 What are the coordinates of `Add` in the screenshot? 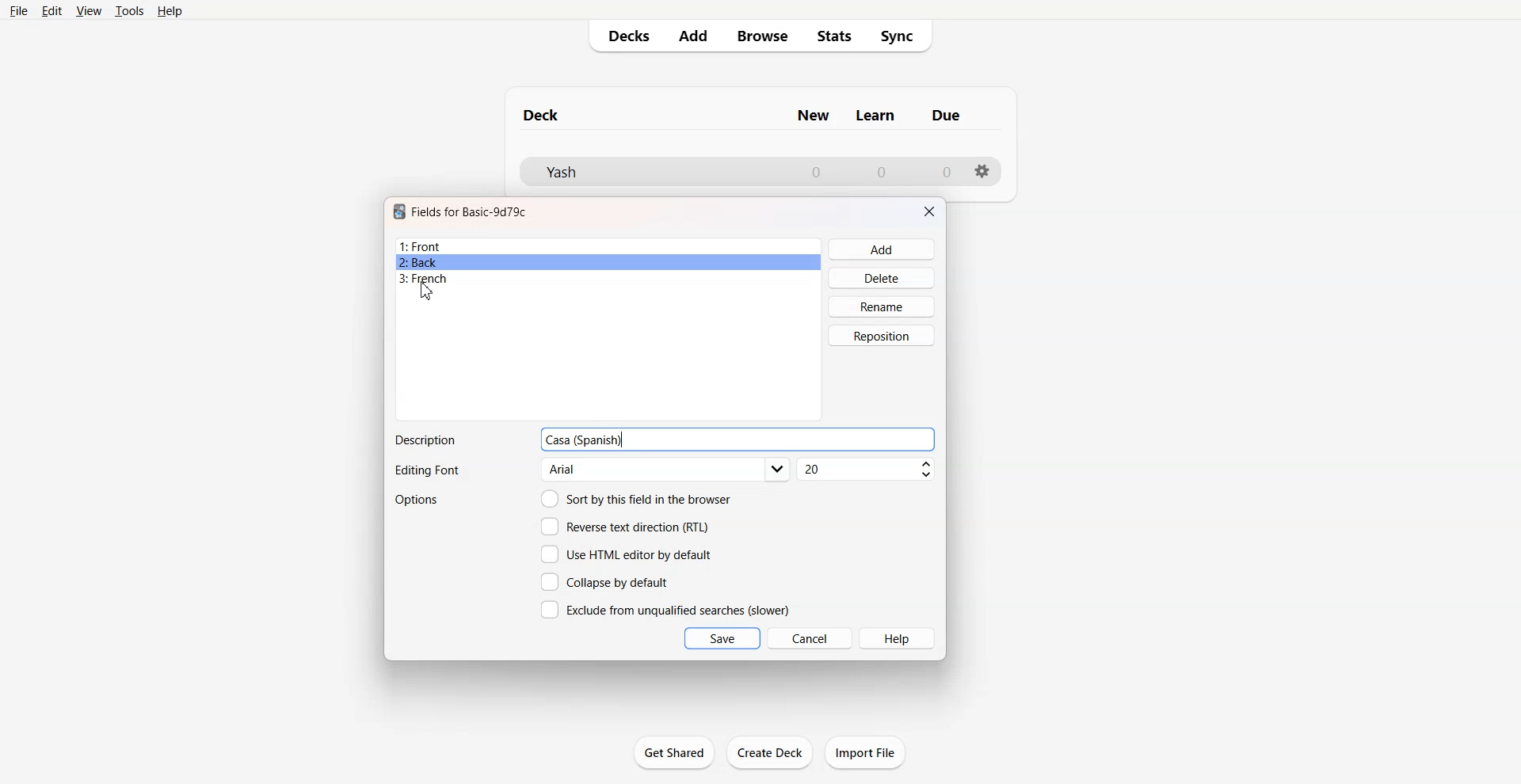 It's located at (692, 36).